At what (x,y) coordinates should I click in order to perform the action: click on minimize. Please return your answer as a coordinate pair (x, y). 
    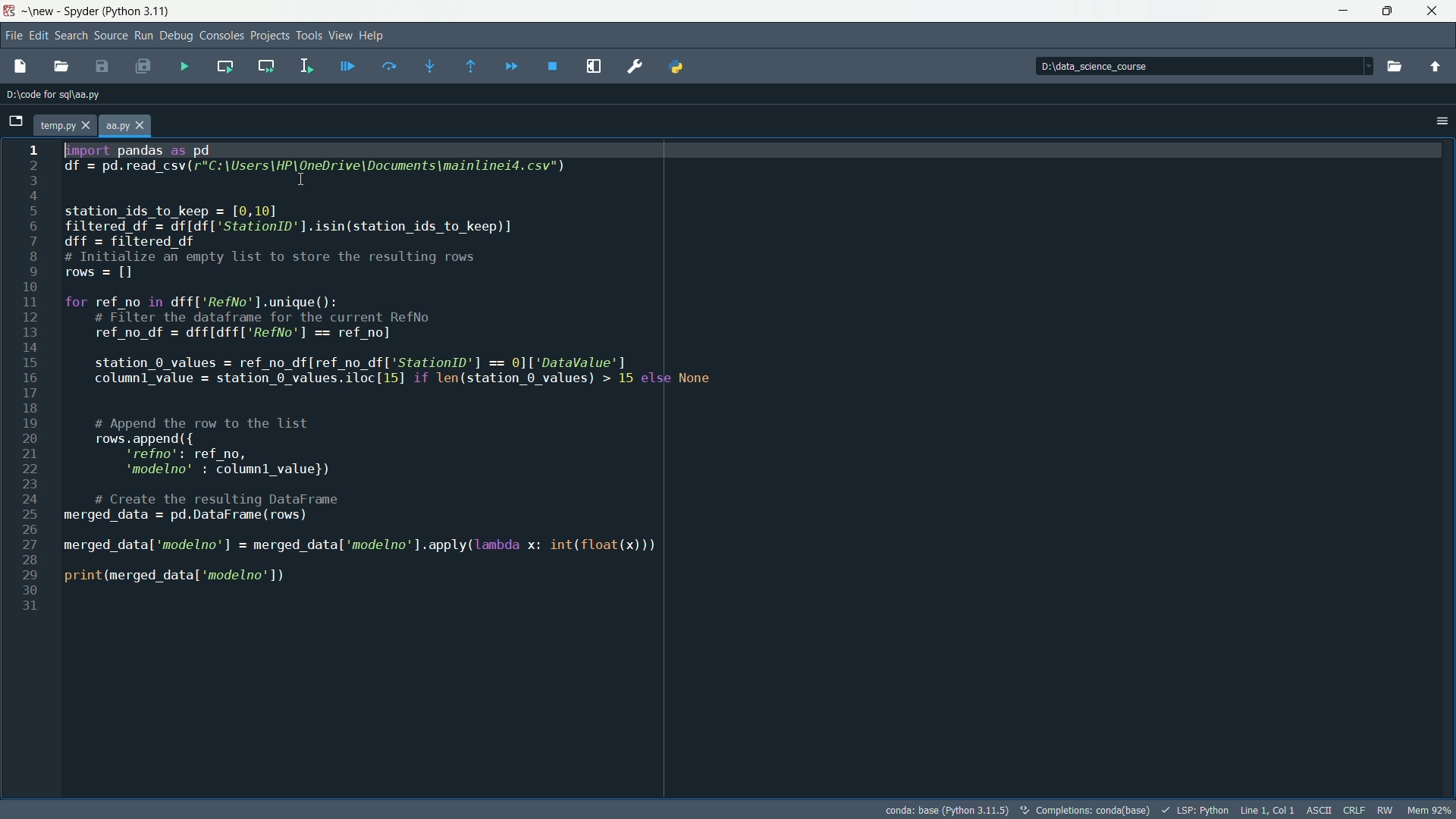
    Looking at the image, I should click on (1345, 11).